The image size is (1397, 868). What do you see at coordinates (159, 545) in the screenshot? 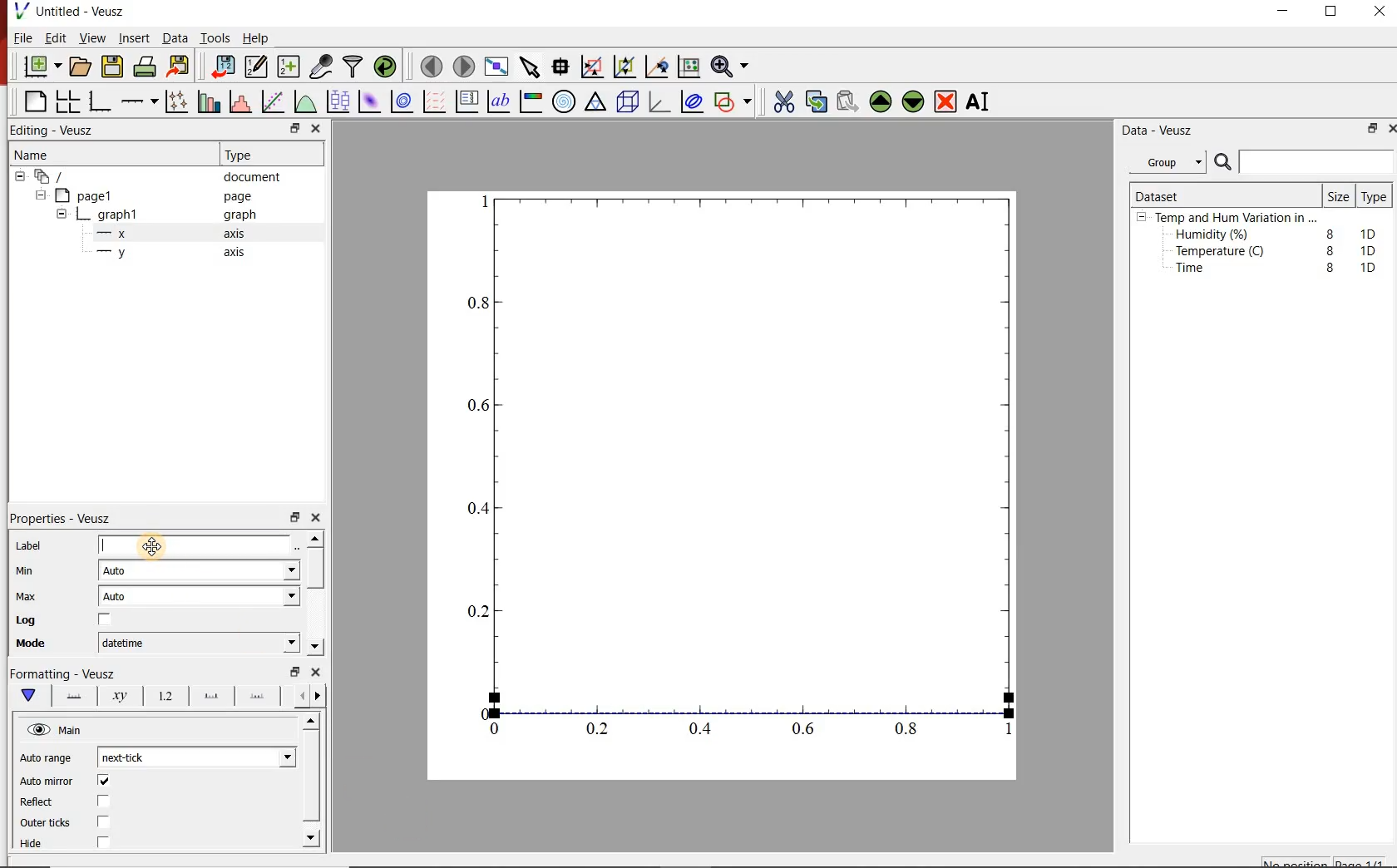
I see `Cursor` at bounding box center [159, 545].